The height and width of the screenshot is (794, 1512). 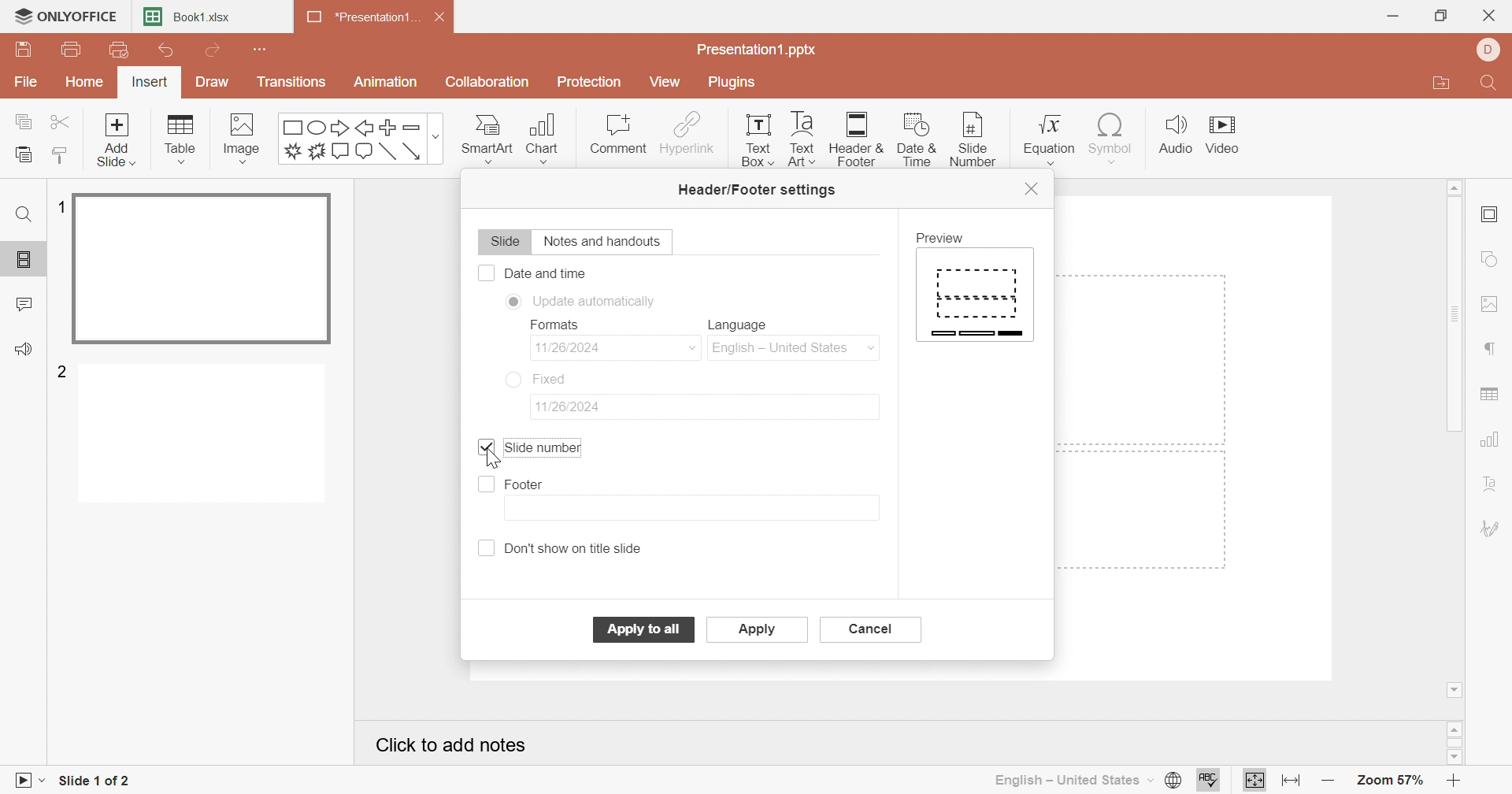 What do you see at coordinates (1491, 485) in the screenshot?
I see `Text Art settings` at bounding box center [1491, 485].